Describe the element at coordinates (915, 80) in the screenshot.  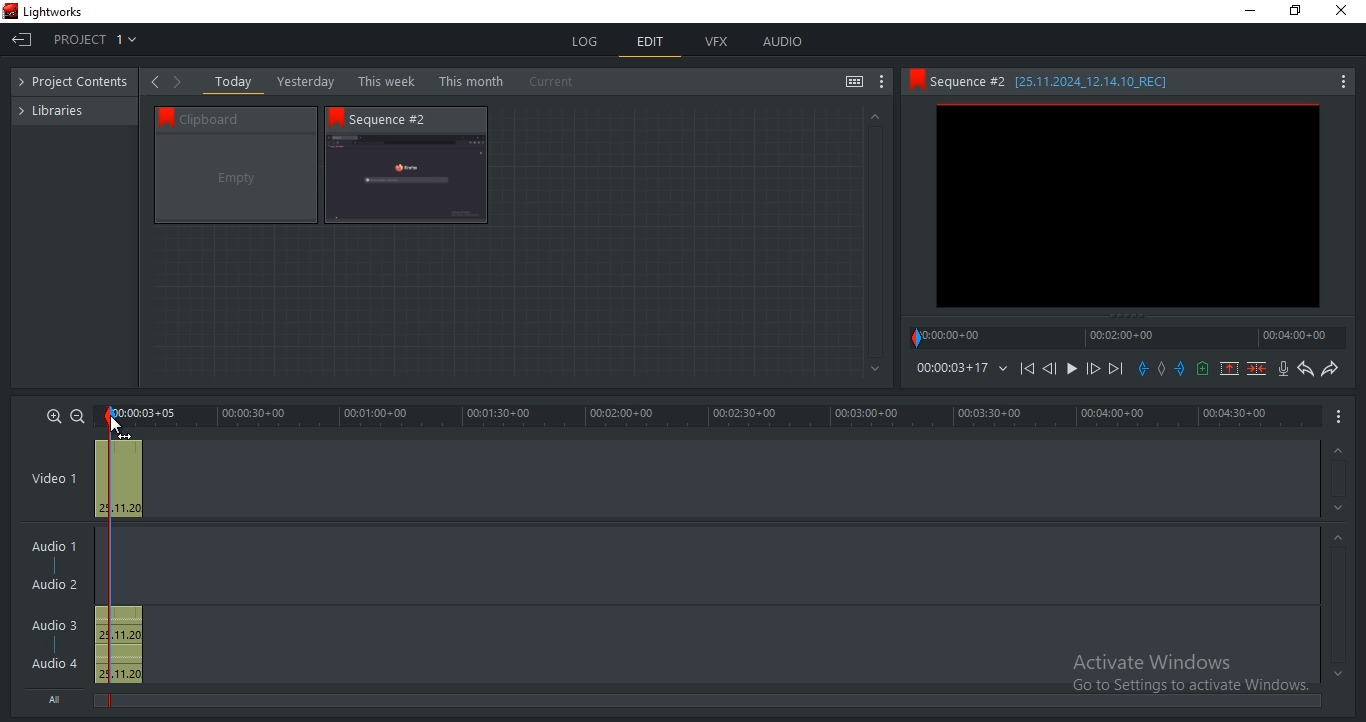
I see `Bookmark icon` at that location.